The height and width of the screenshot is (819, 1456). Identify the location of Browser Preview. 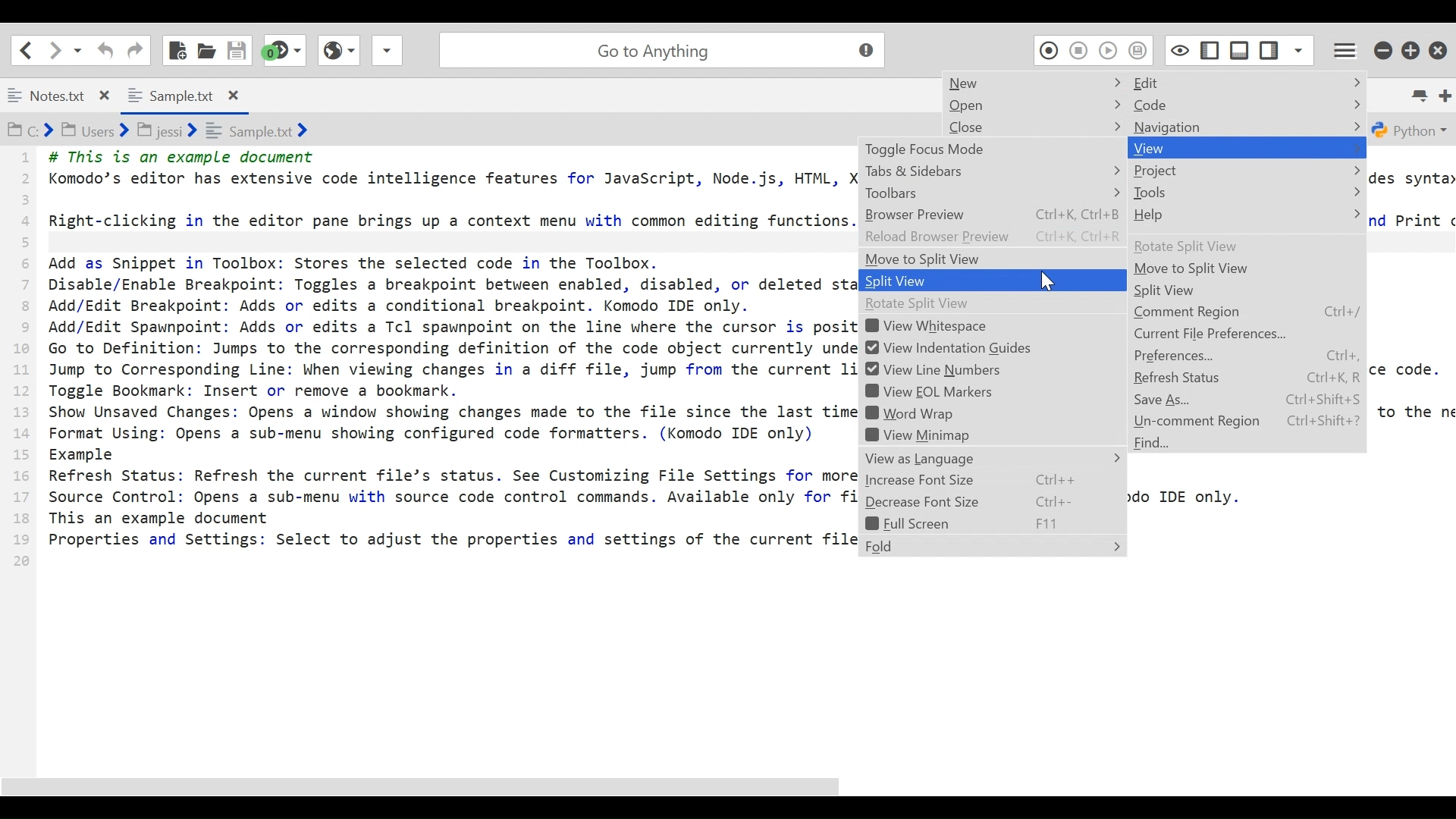
(988, 215).